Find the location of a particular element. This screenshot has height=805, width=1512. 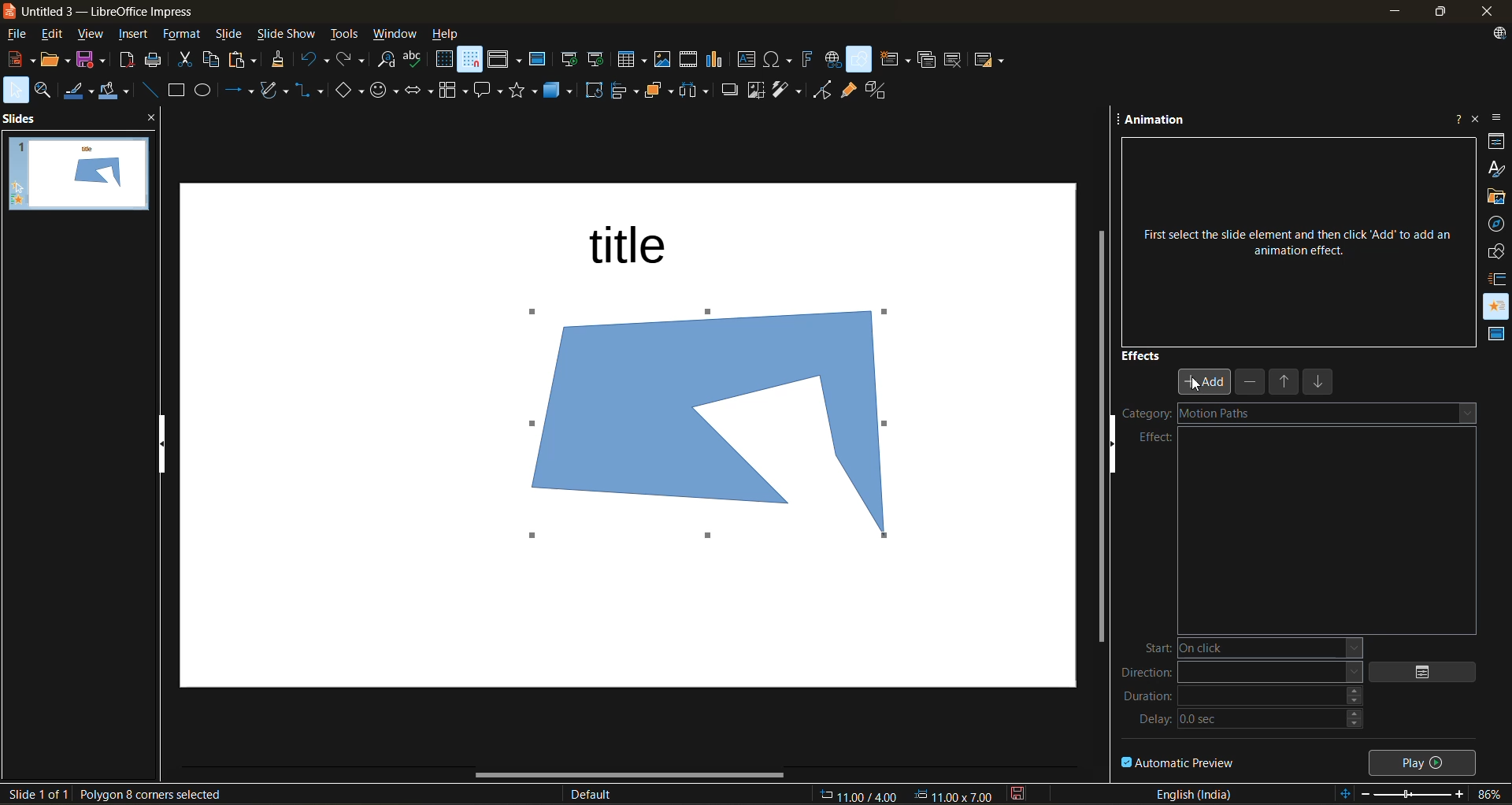

slide master name is located at coordinates (598, 796).